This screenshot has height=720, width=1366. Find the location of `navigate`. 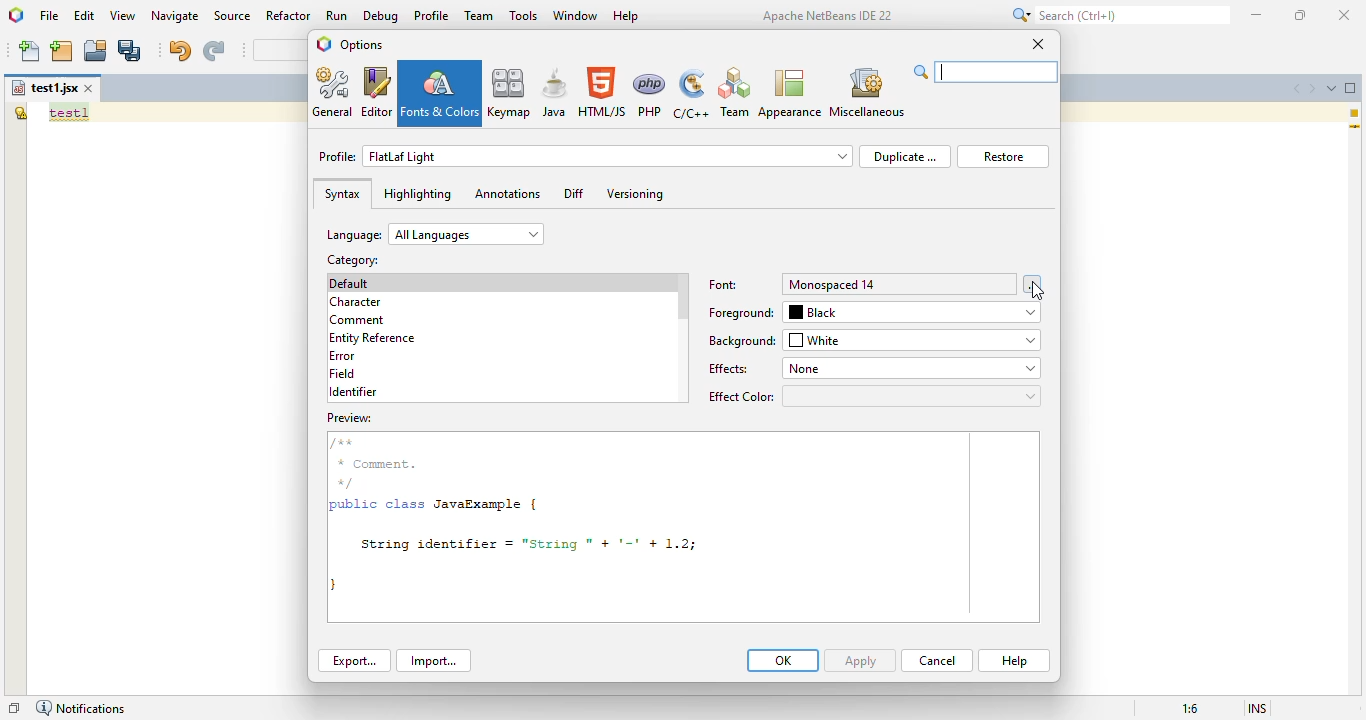

navigate is located at coordinates (175, 15).